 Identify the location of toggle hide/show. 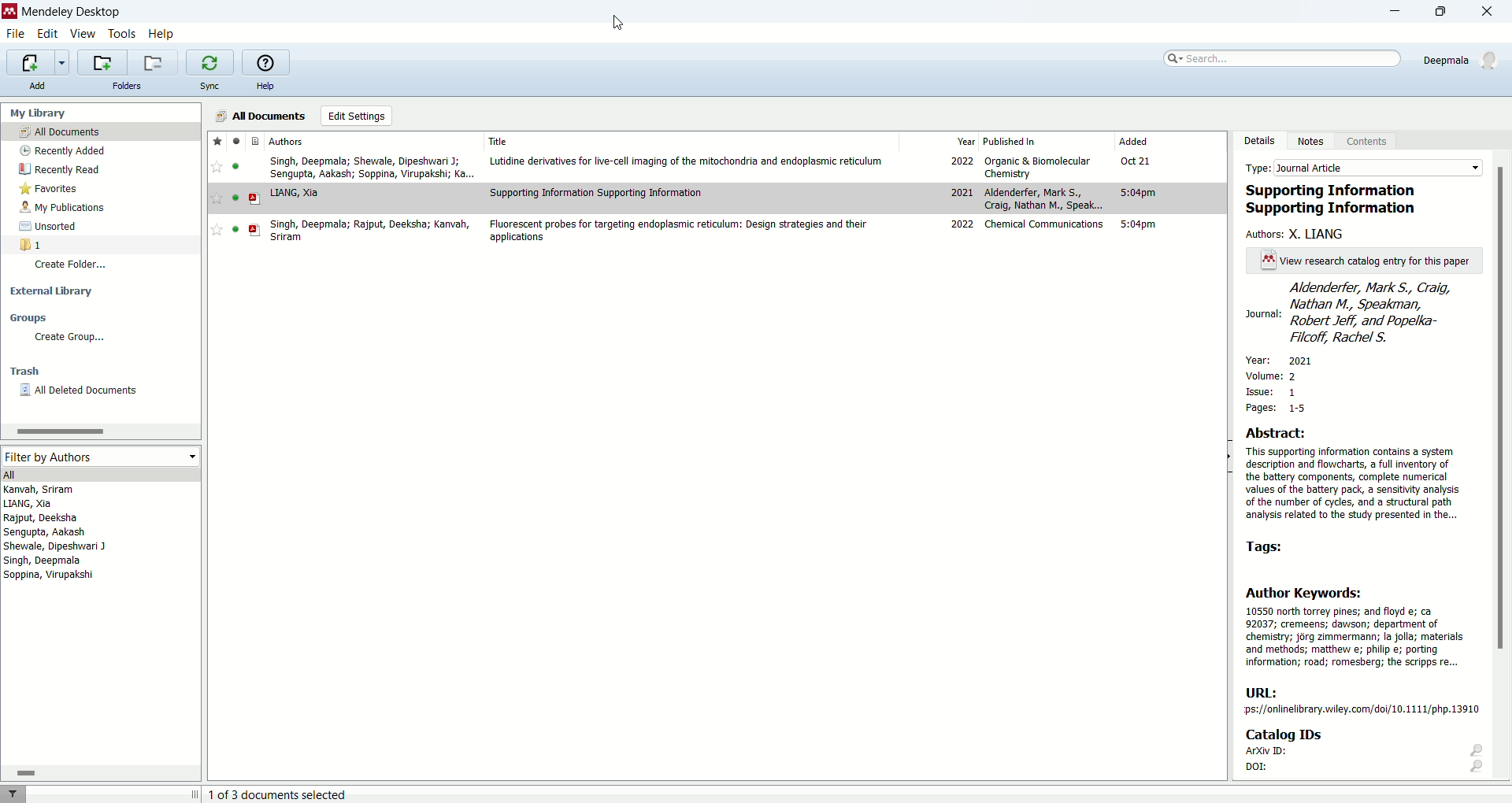
(1228, 457).